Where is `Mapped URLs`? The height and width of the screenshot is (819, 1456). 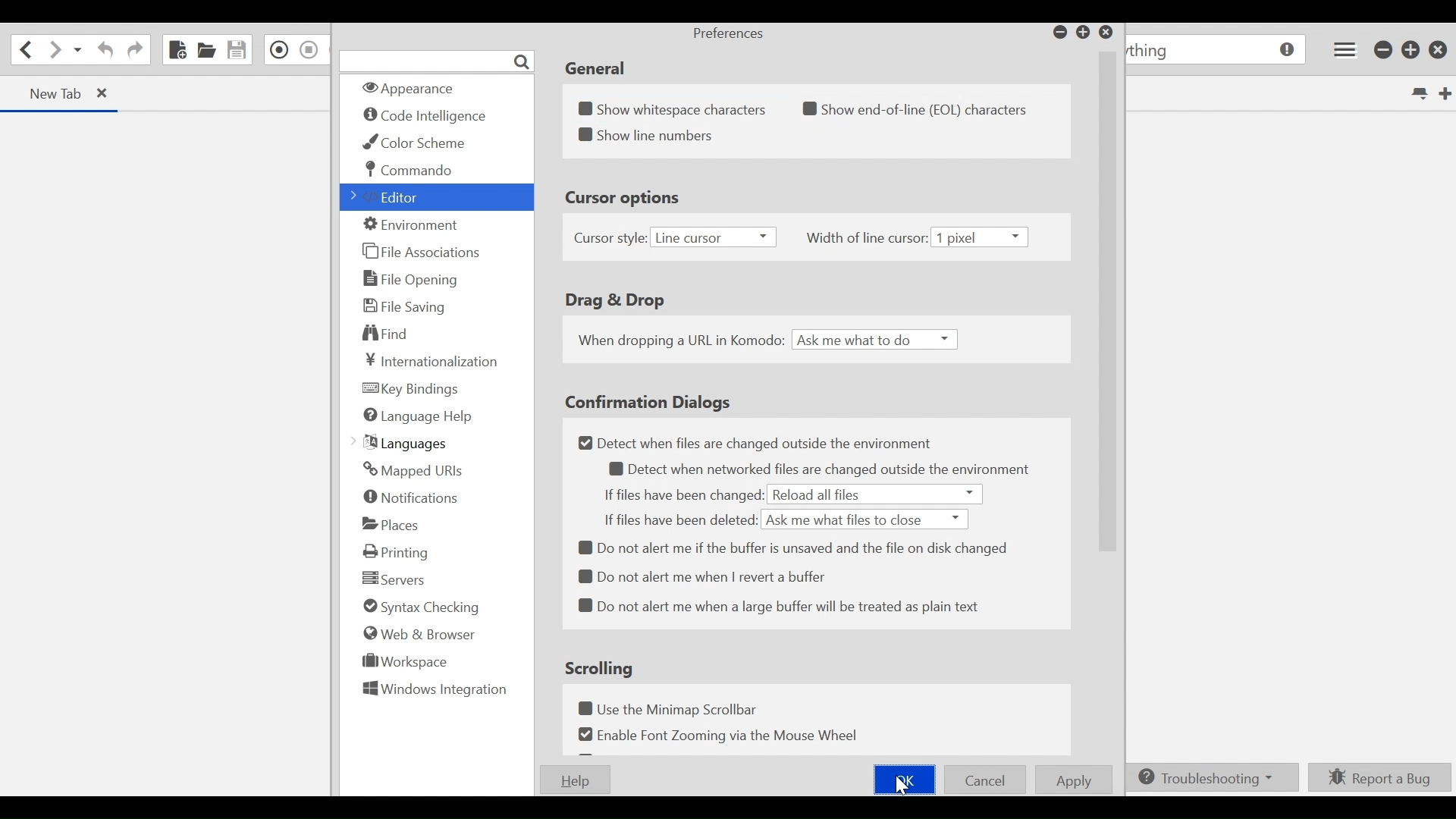
Mapped URLs is located at coordinates (413, 471).